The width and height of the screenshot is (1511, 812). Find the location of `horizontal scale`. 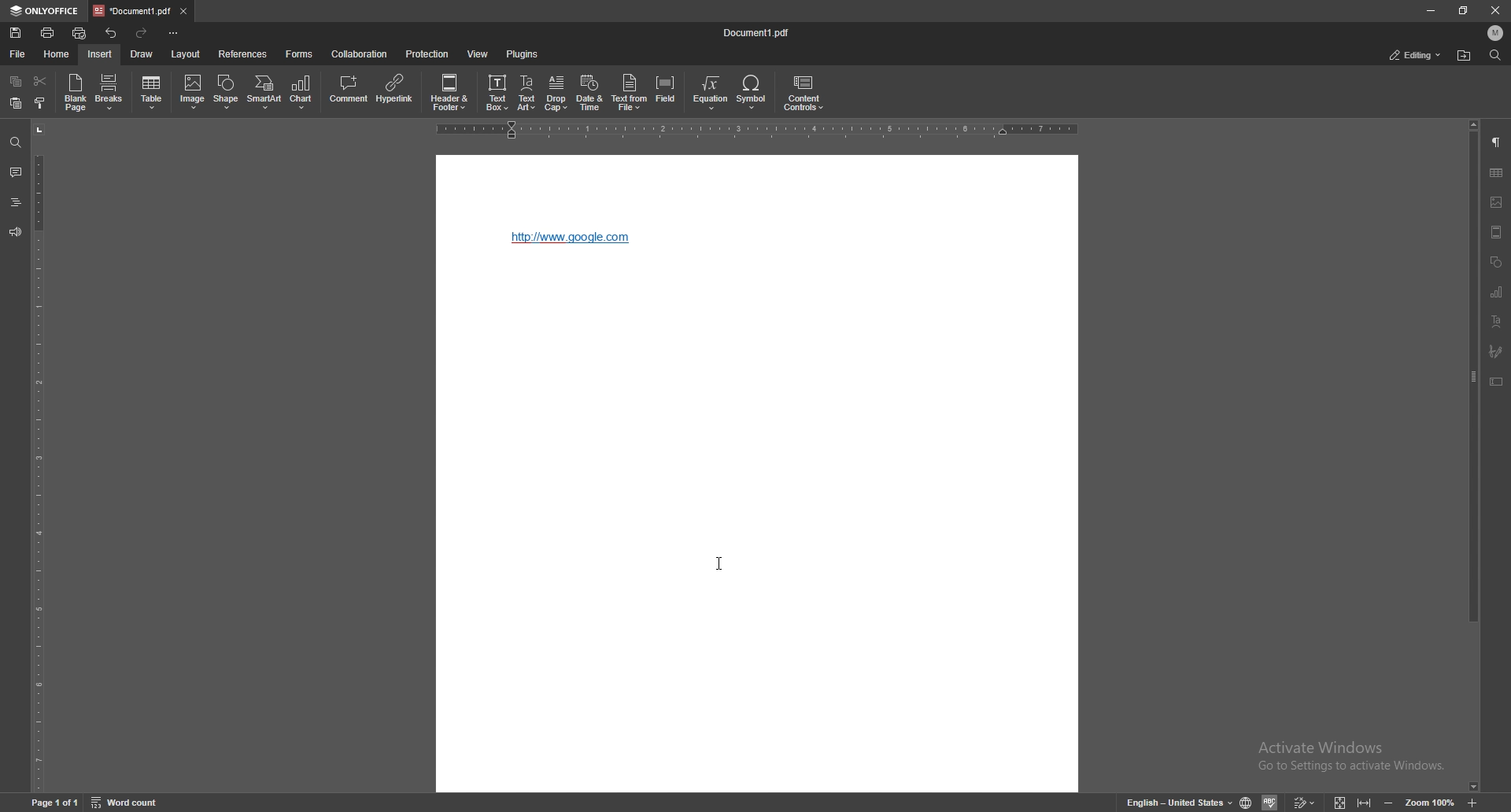

horizontal scale is located at coordinates (761, 129).